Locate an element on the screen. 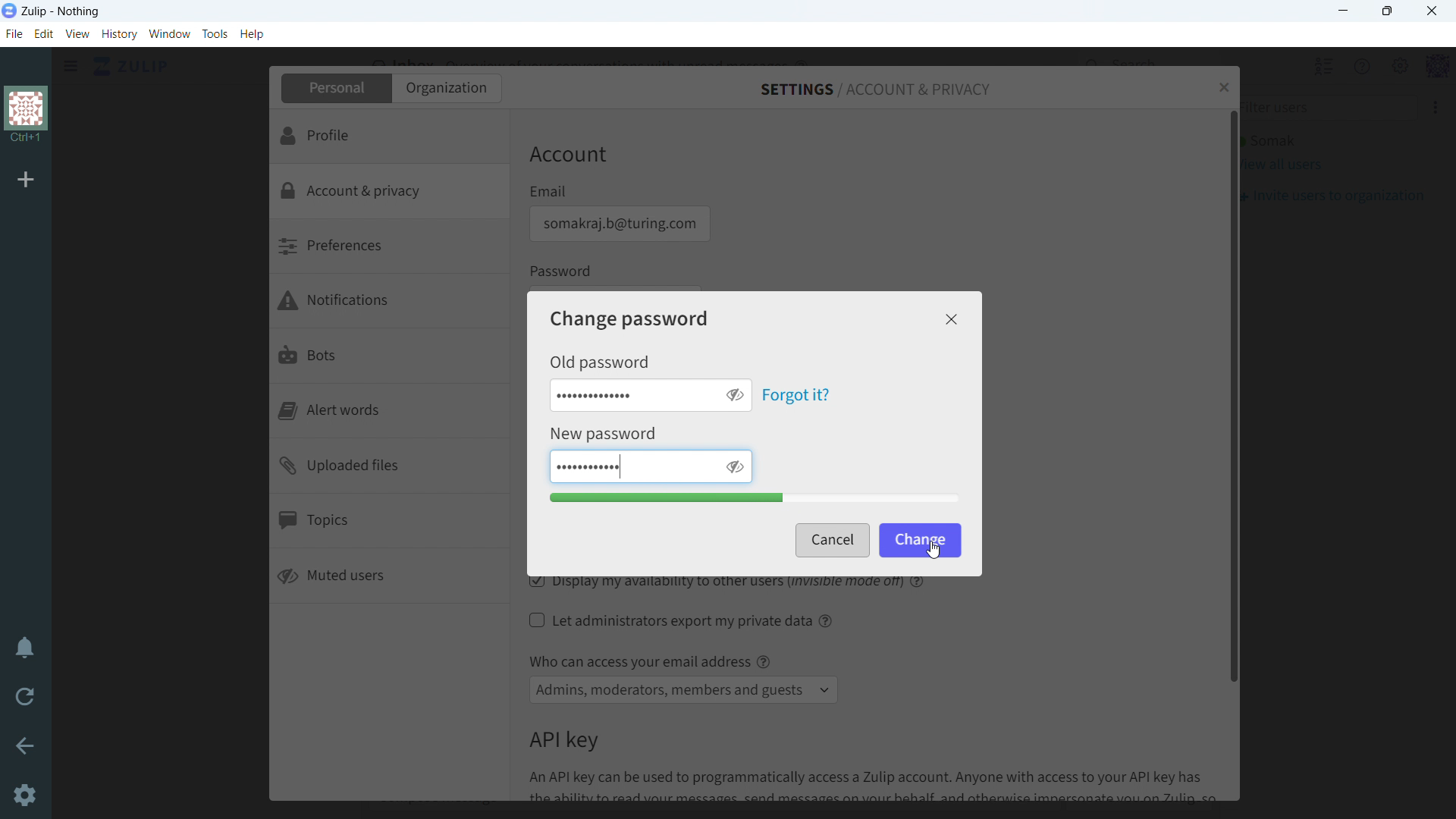 Image resolution: width=1456 pixels, height=819 pixels. file is located at coordinates (14, 33).